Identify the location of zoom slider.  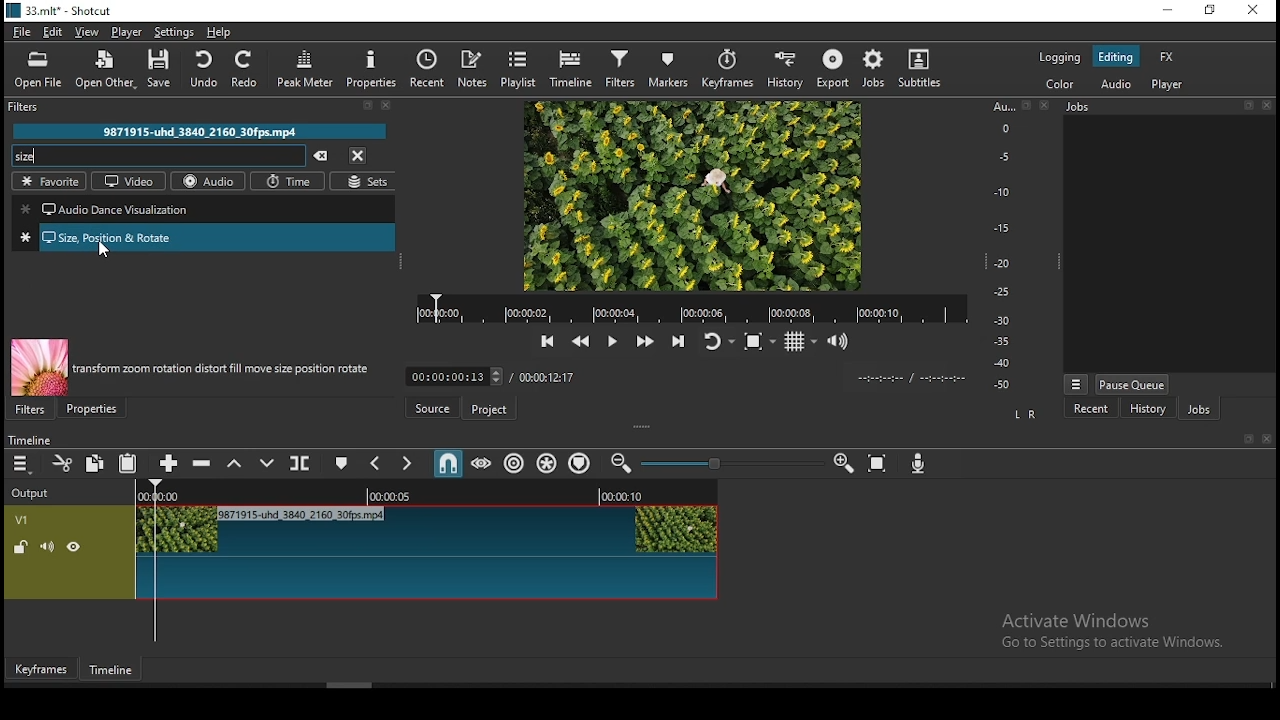
(731, 463).